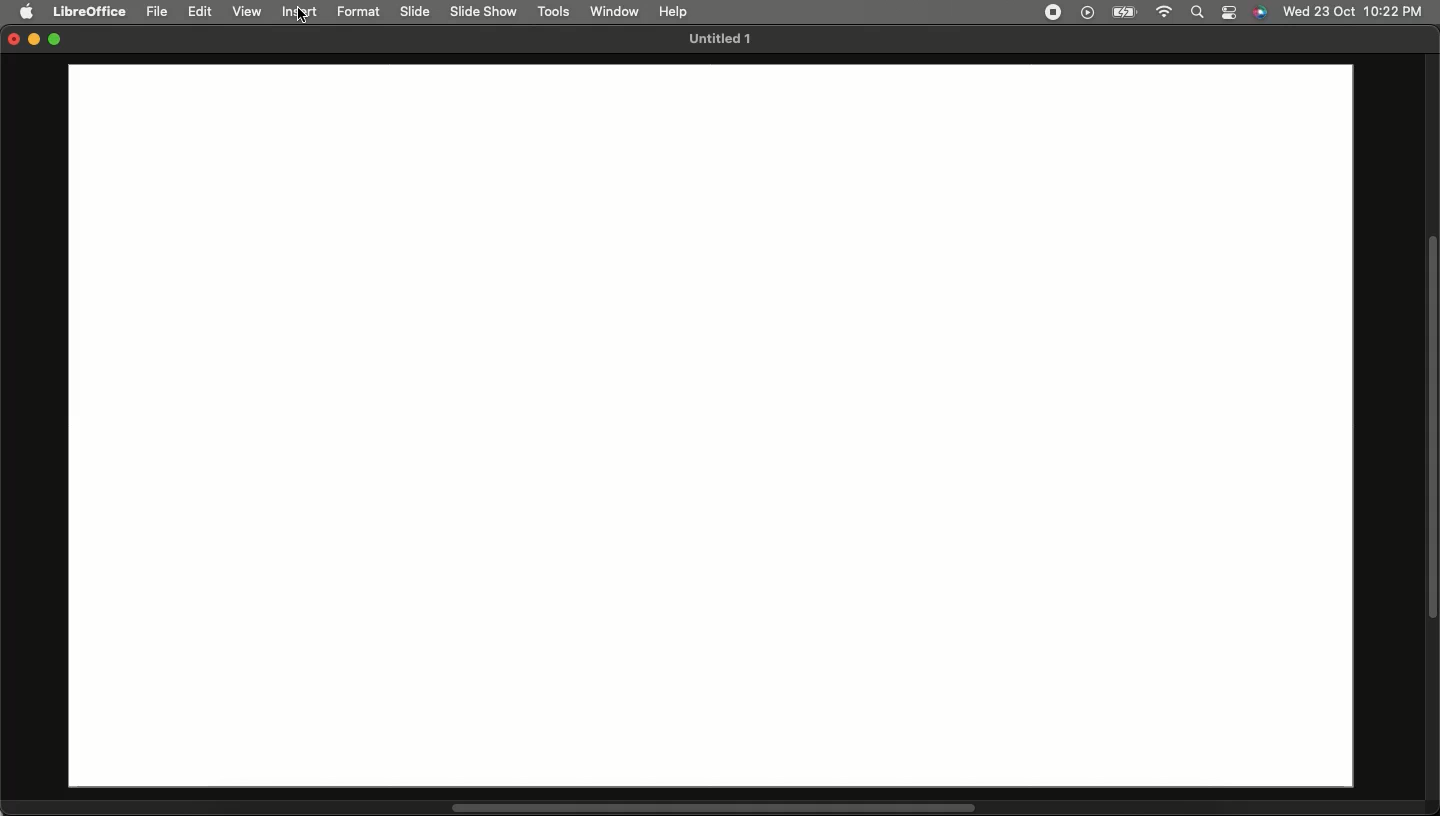  I want to click on Internet, so click(1163, 13).